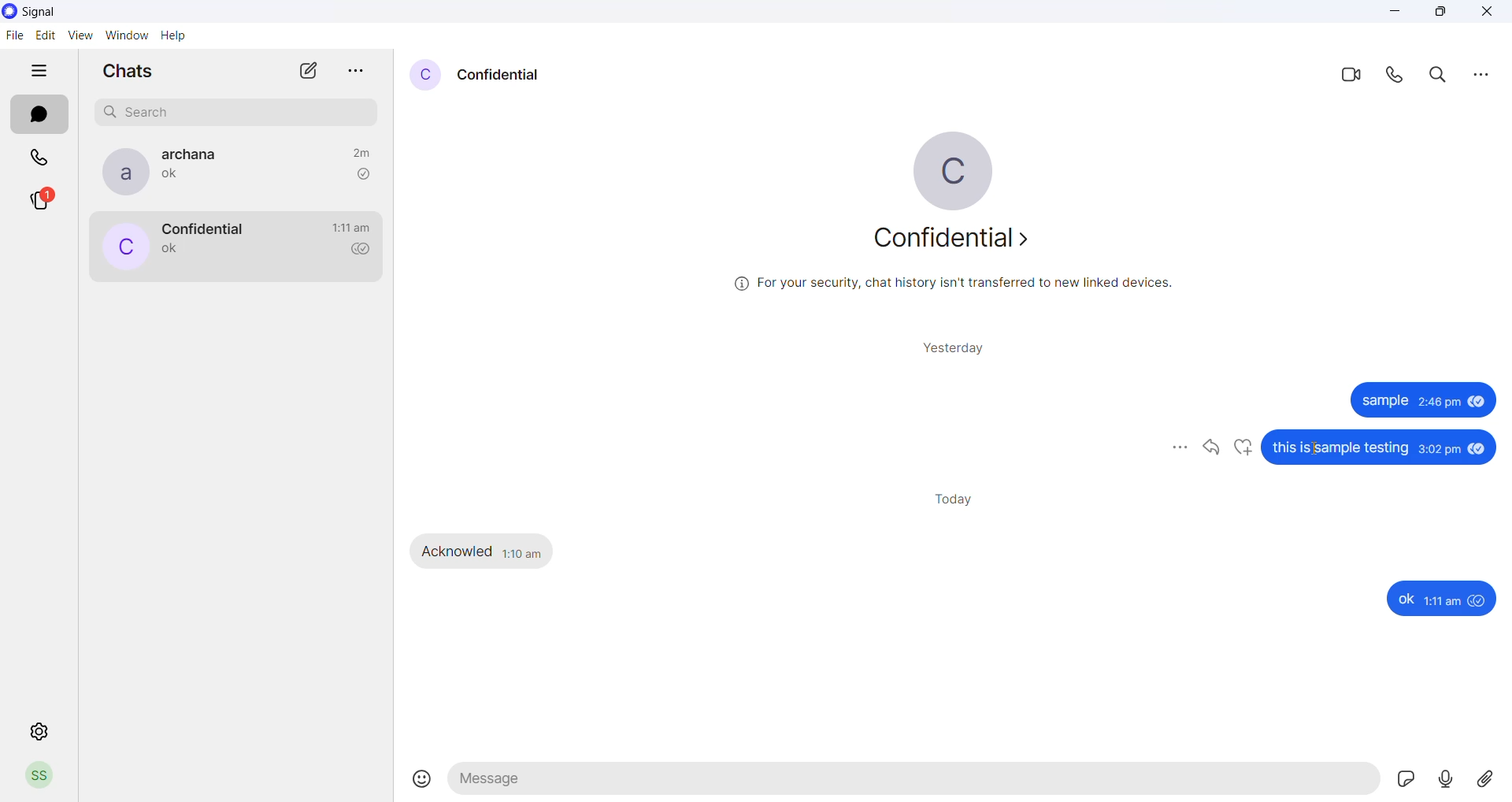 This screenshot has height=802, width=1512. I want to click on profile picture, so click(120, 172).